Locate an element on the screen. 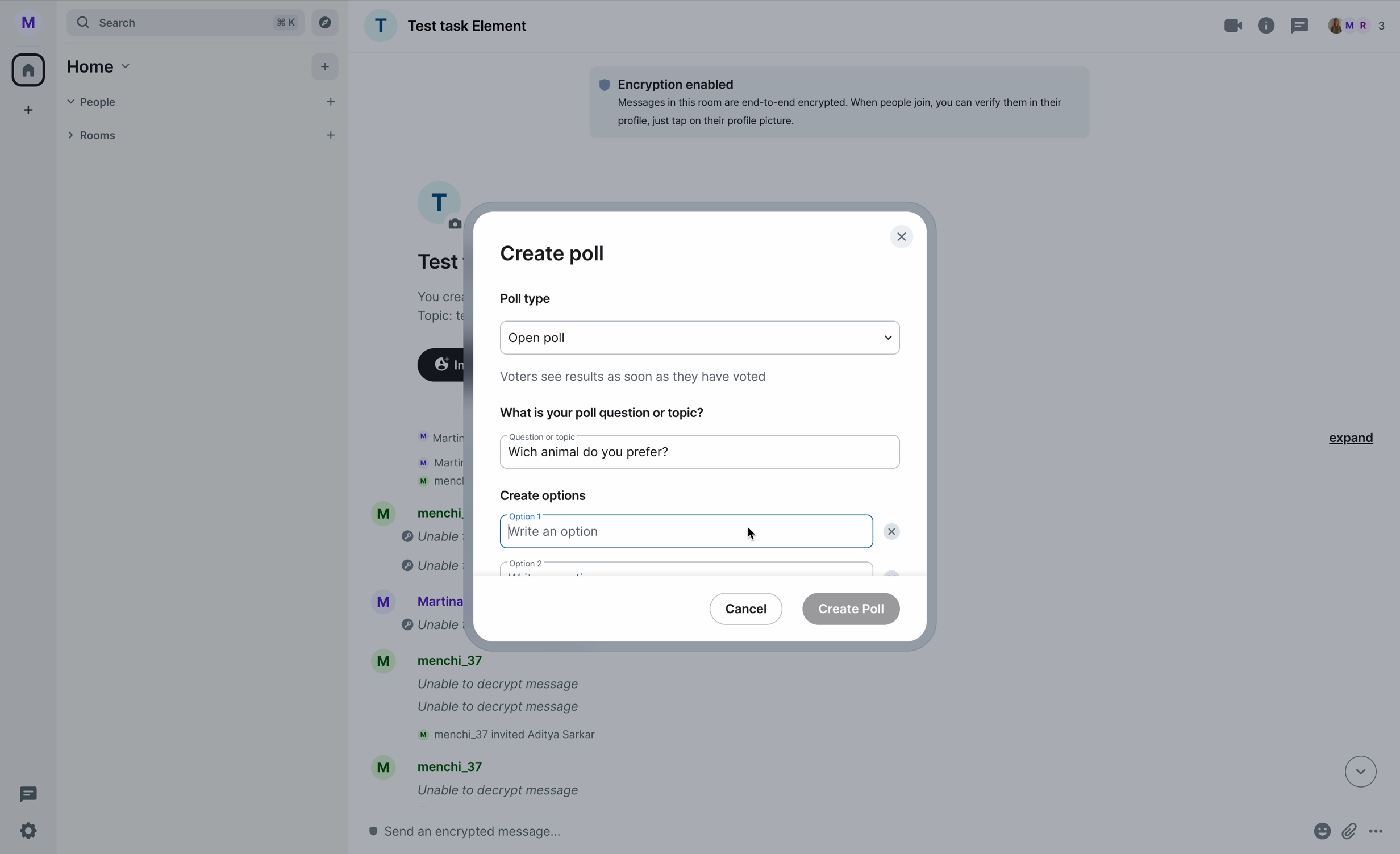 The width and height of the screenshot is (1400, 854). more options is located at coordinates (1382, 836).